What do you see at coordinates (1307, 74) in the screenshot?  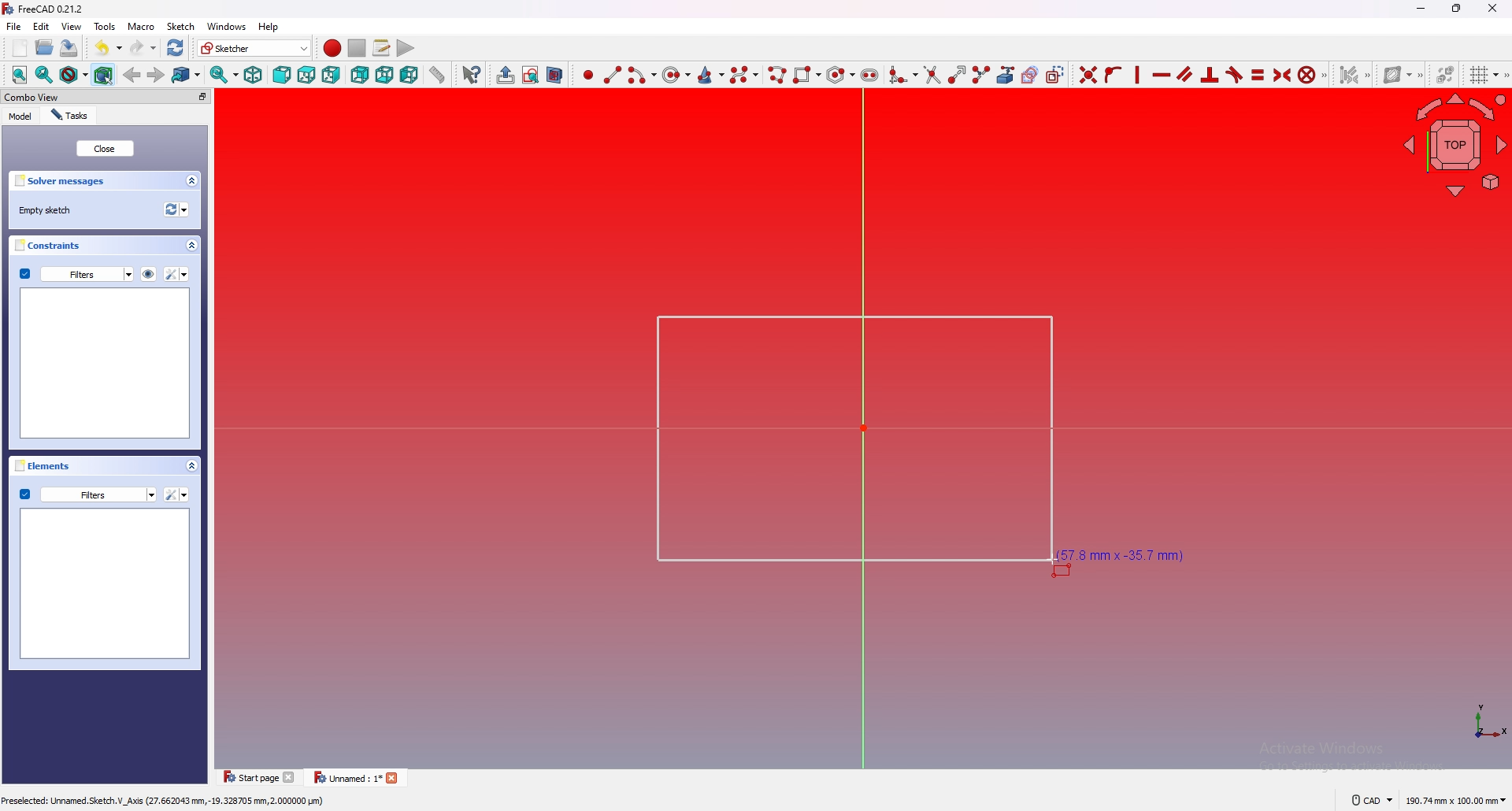 I see `constraint block` at bounding box center [1307, 74].